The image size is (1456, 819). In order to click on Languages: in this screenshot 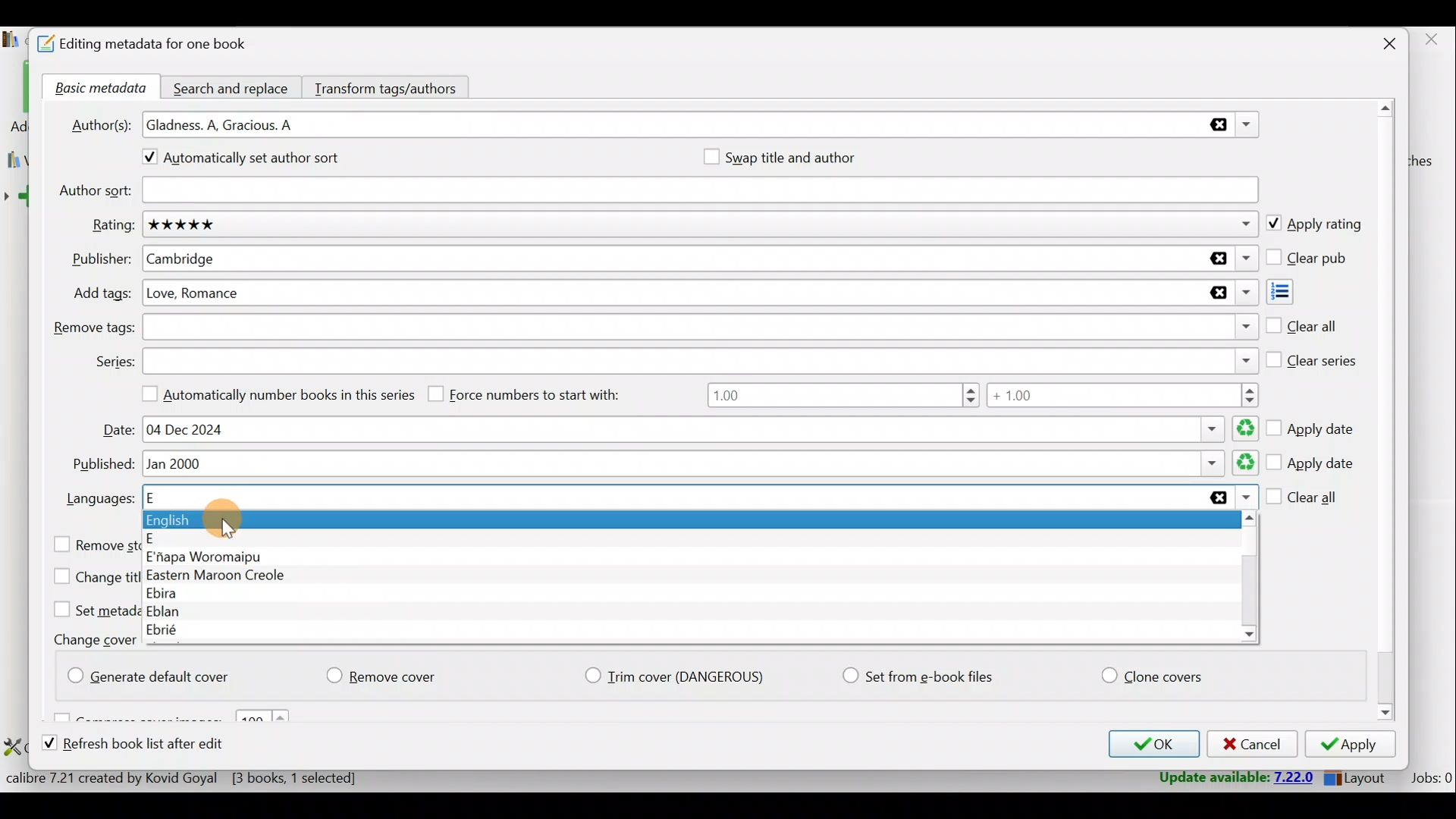, I will do `click(99, 500)`.